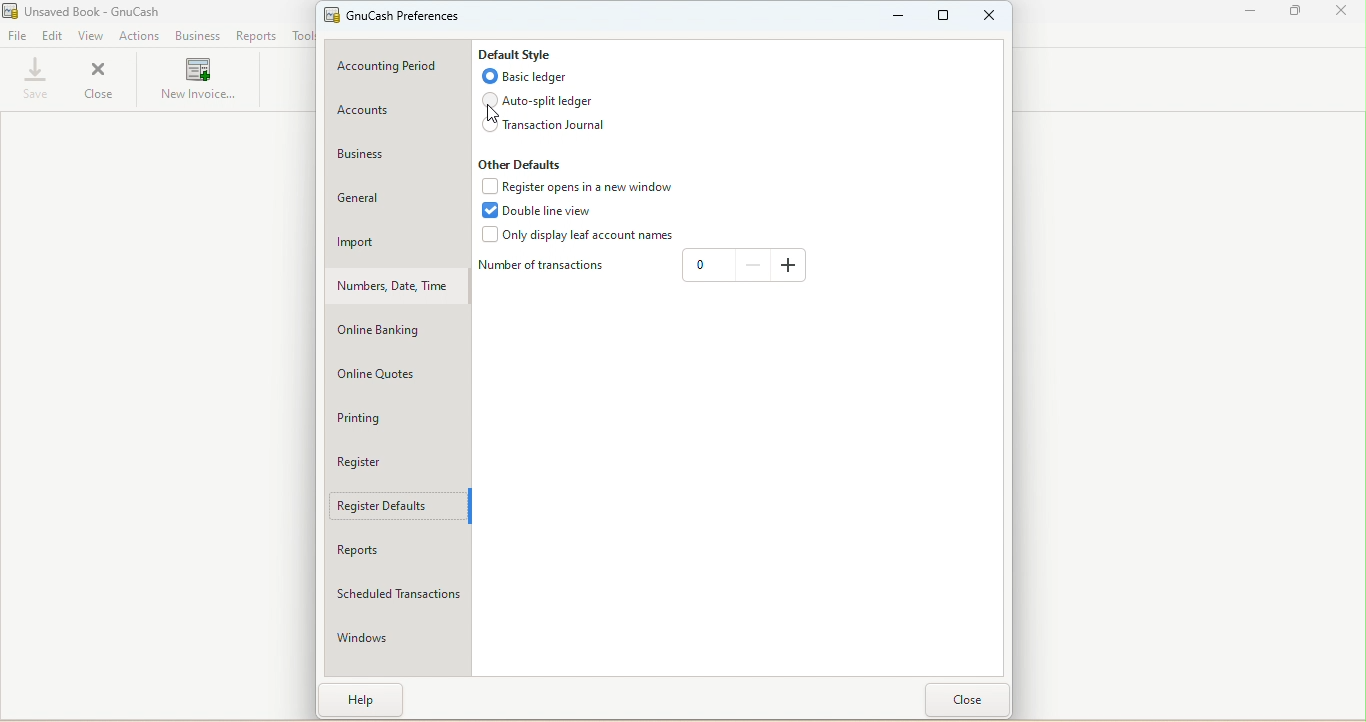 The width and height of the screenshot is (1366, 722). I want to click on Close, so click(1342, 14).